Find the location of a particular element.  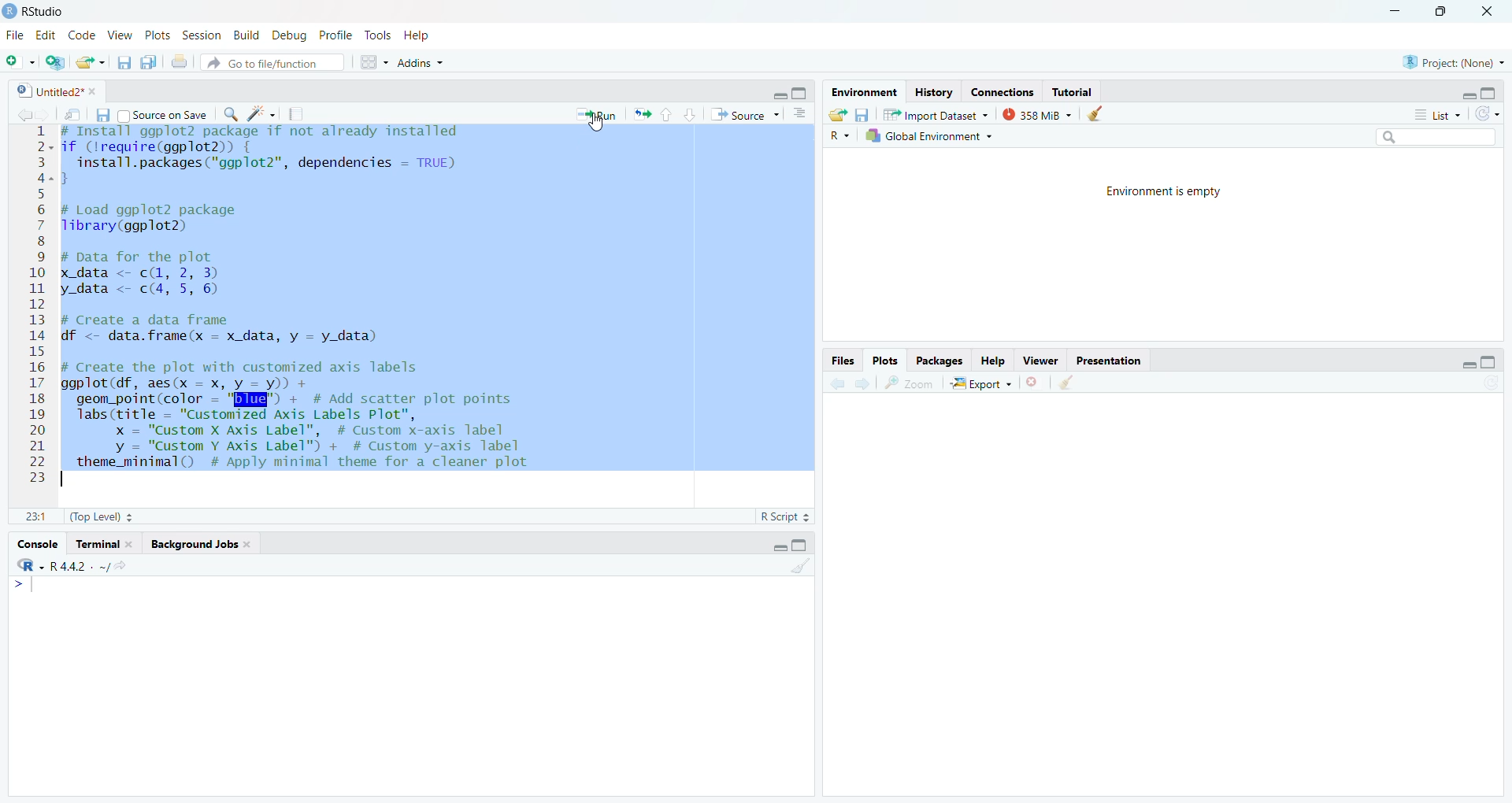

search is located at coordinates (234, 117).